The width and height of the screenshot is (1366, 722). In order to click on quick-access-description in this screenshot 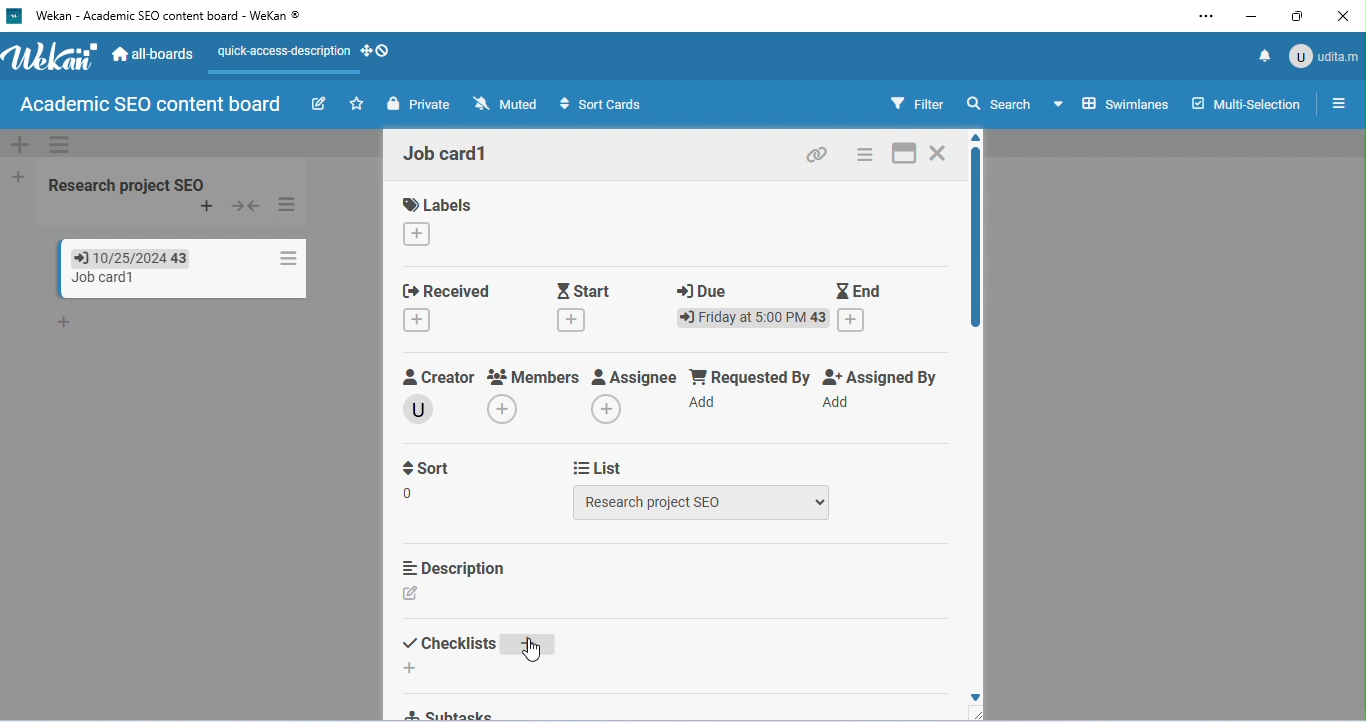, I will do `click(279, 58)`.